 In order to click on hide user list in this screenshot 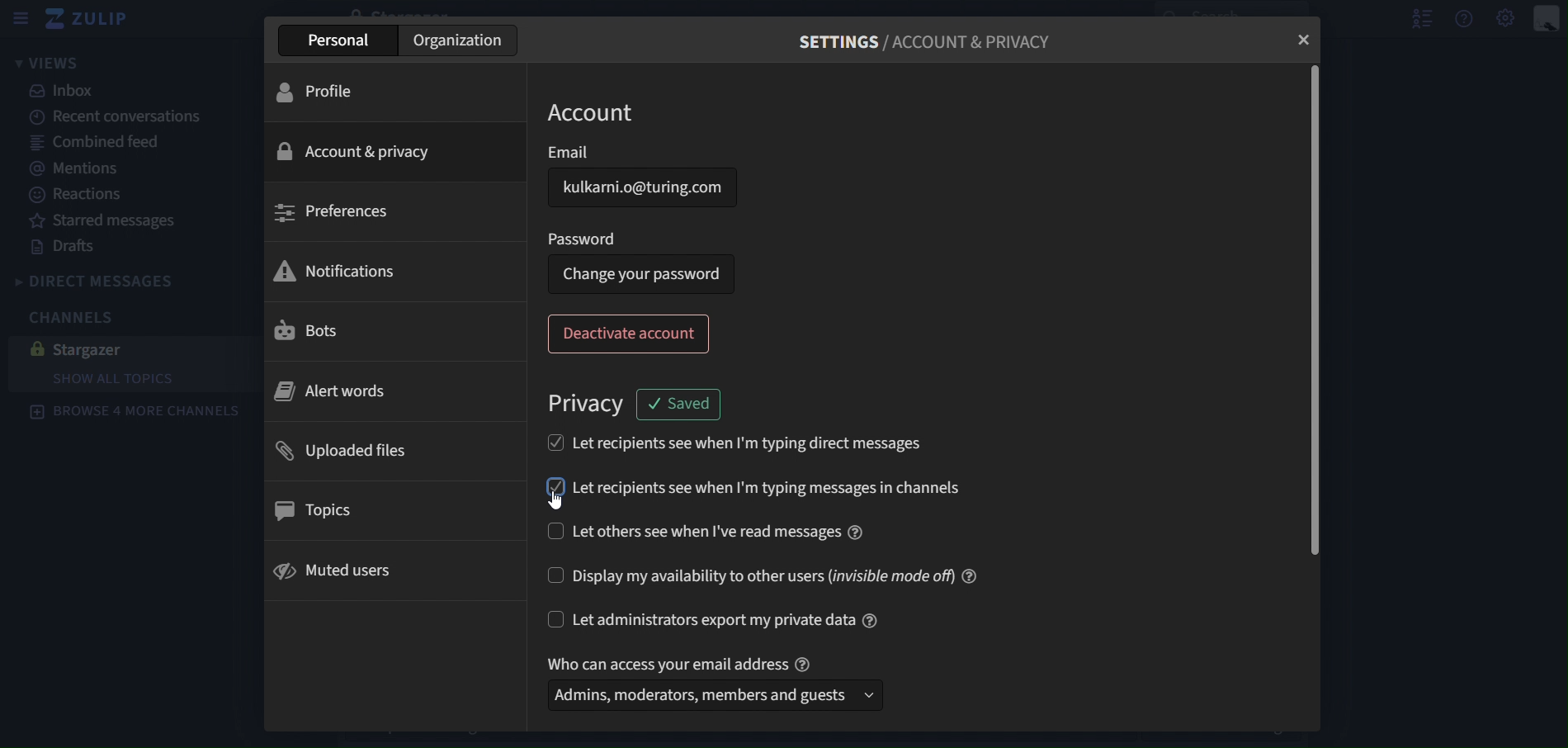, I will do `click(1426, 22)`.